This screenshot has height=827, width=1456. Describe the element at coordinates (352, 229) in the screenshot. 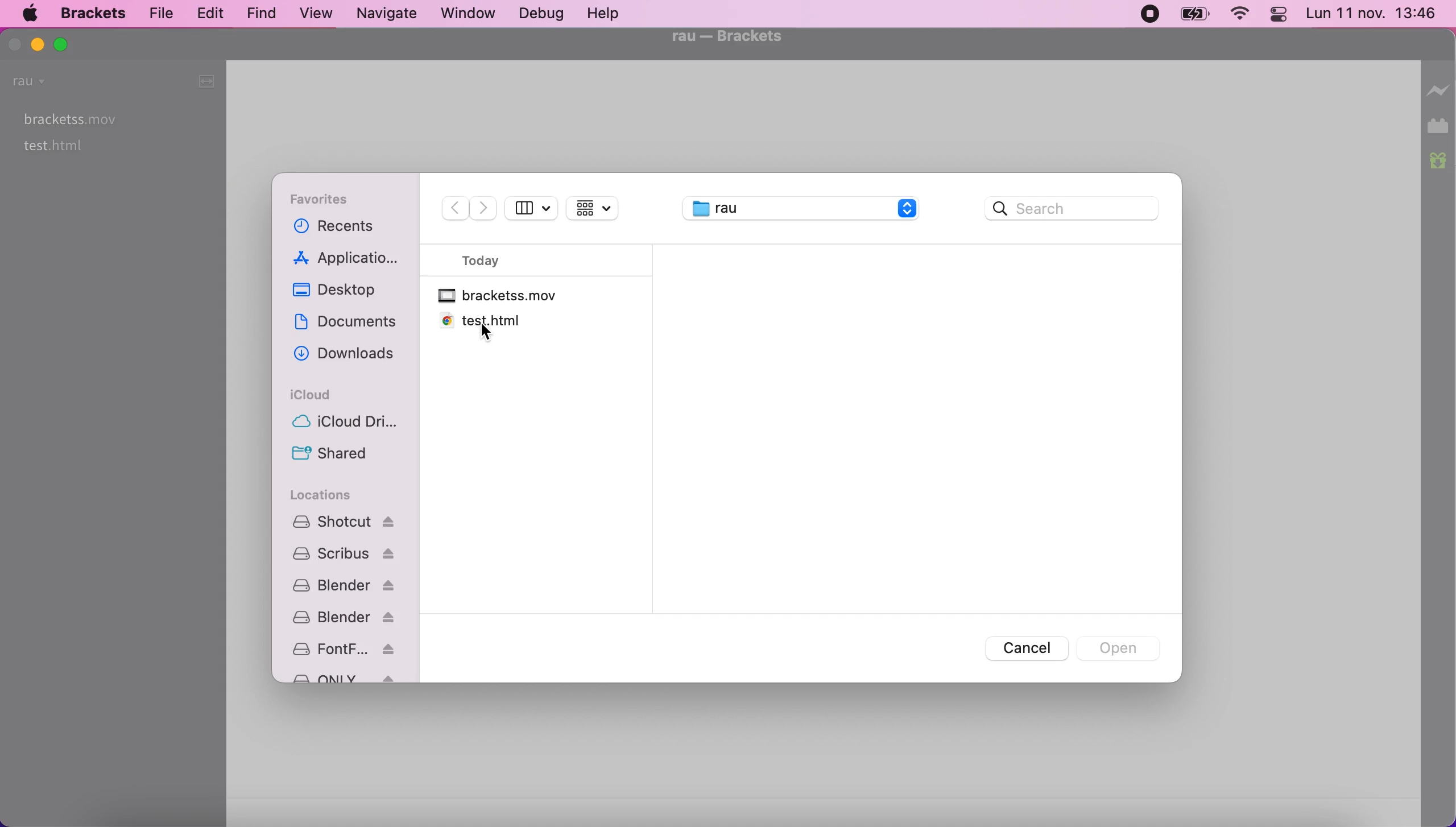

I see `recents` at that location.